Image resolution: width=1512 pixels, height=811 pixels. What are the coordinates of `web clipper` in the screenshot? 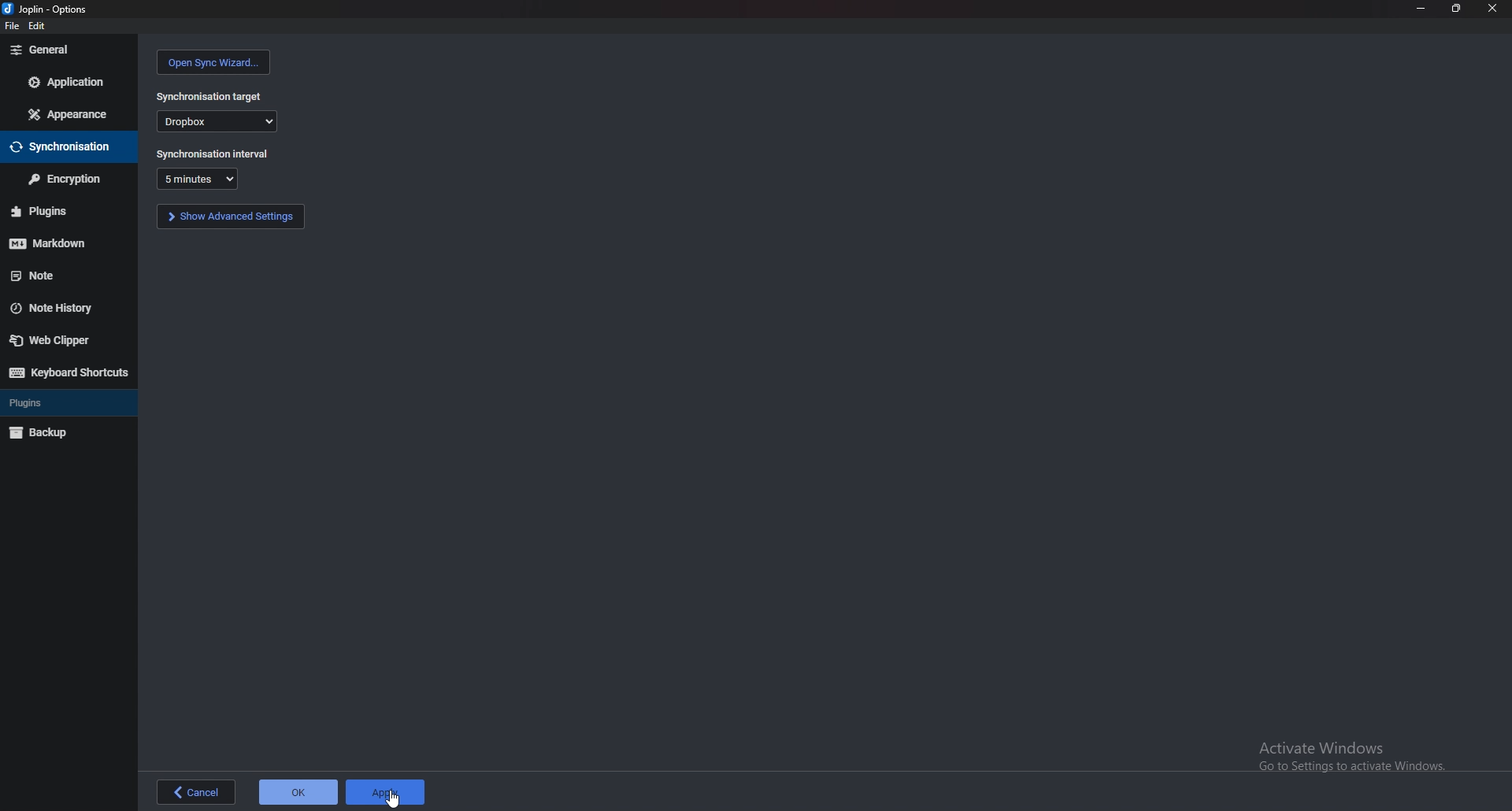 It's located at (59, 341).